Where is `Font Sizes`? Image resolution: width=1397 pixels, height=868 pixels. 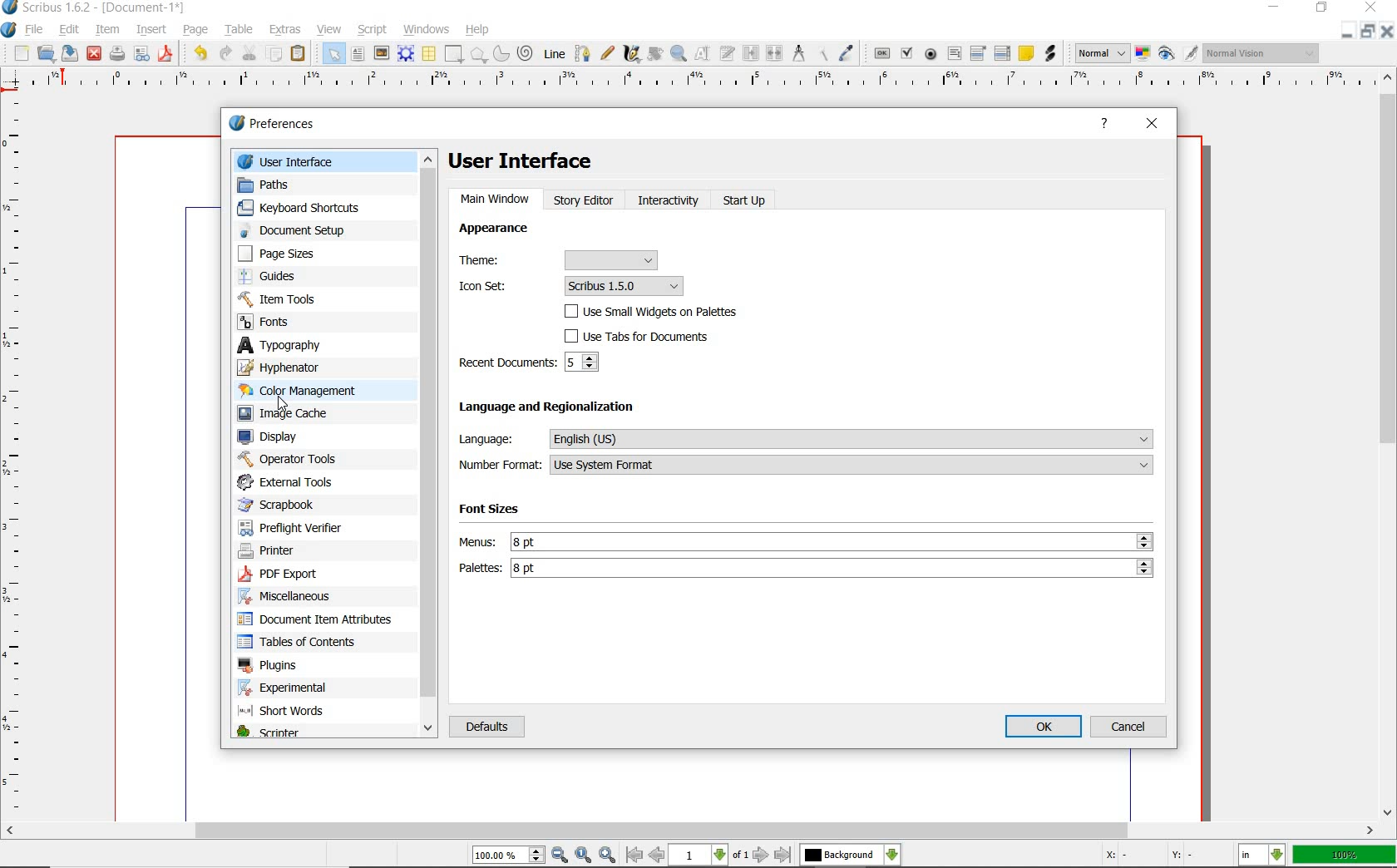
Font Sizes is located at coordinates (493, 510).